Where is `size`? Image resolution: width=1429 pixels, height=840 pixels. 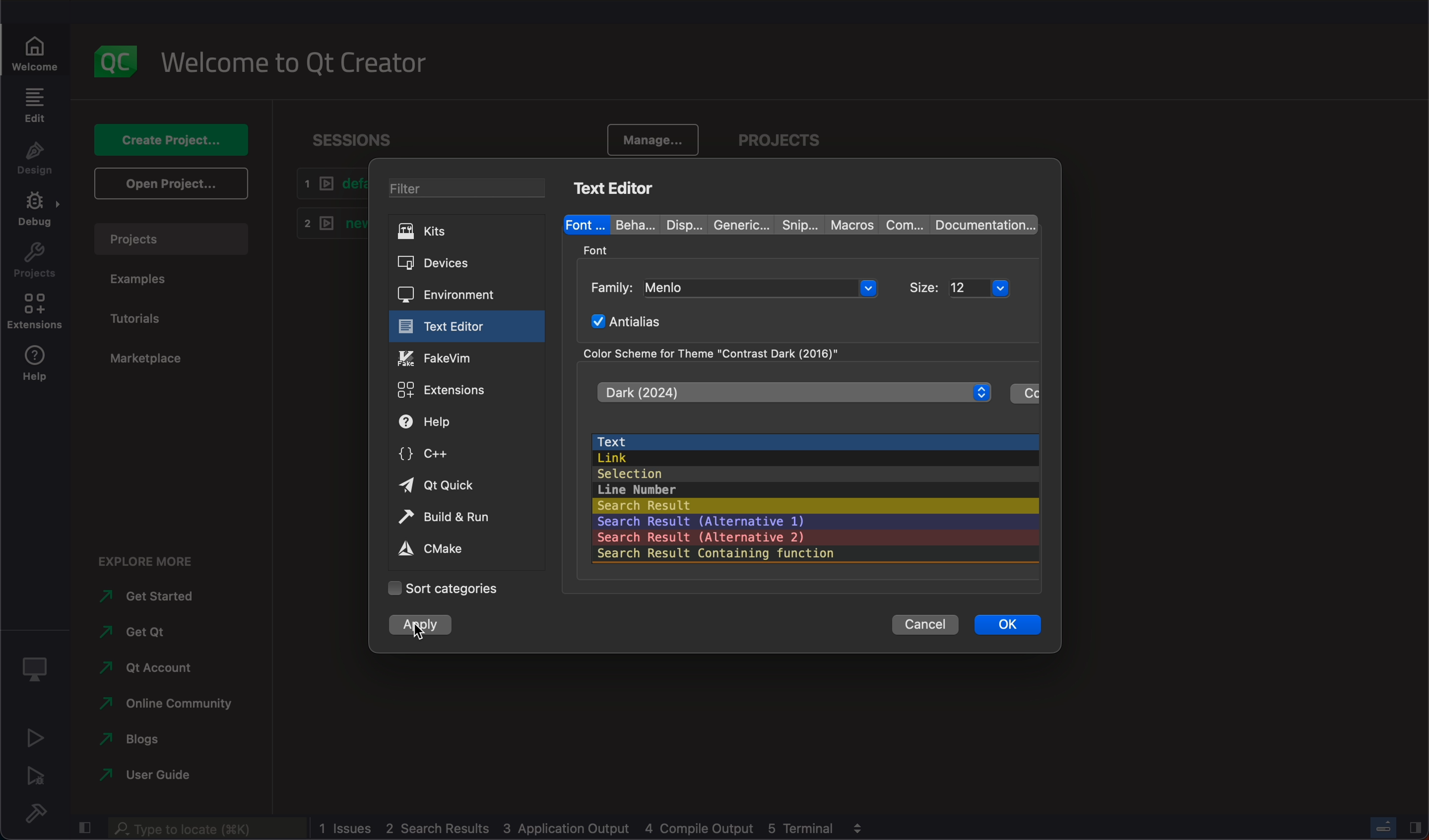
size is located at coordinates (926, 284).